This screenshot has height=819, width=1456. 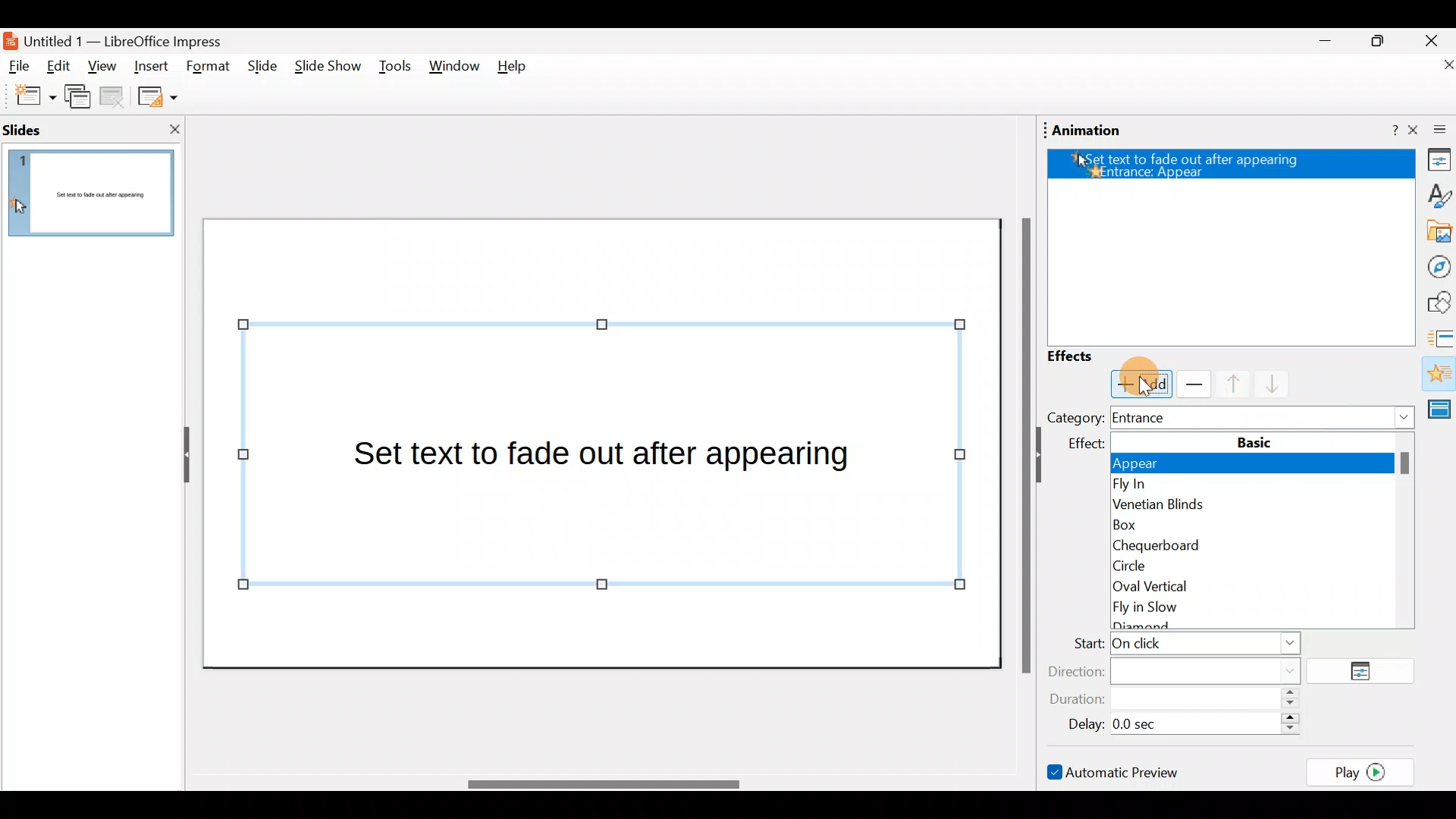 I want to click on File, so click(x=20, y=67).